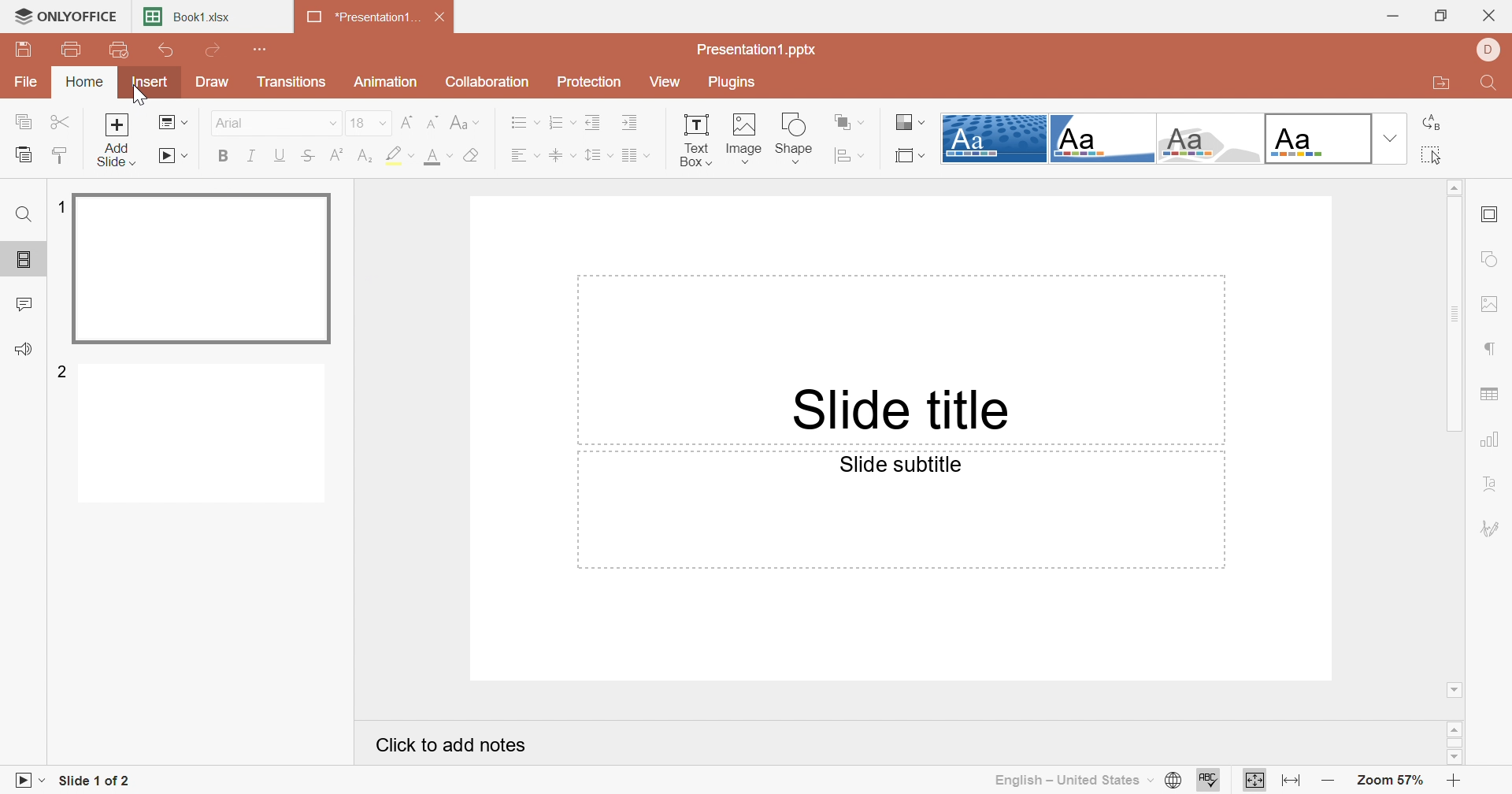 The width and height of the screenshot is (1512, 794). Describe the element at coordinates (1392, 783) in the screenshot. I see `Zoom 57%` at that location.